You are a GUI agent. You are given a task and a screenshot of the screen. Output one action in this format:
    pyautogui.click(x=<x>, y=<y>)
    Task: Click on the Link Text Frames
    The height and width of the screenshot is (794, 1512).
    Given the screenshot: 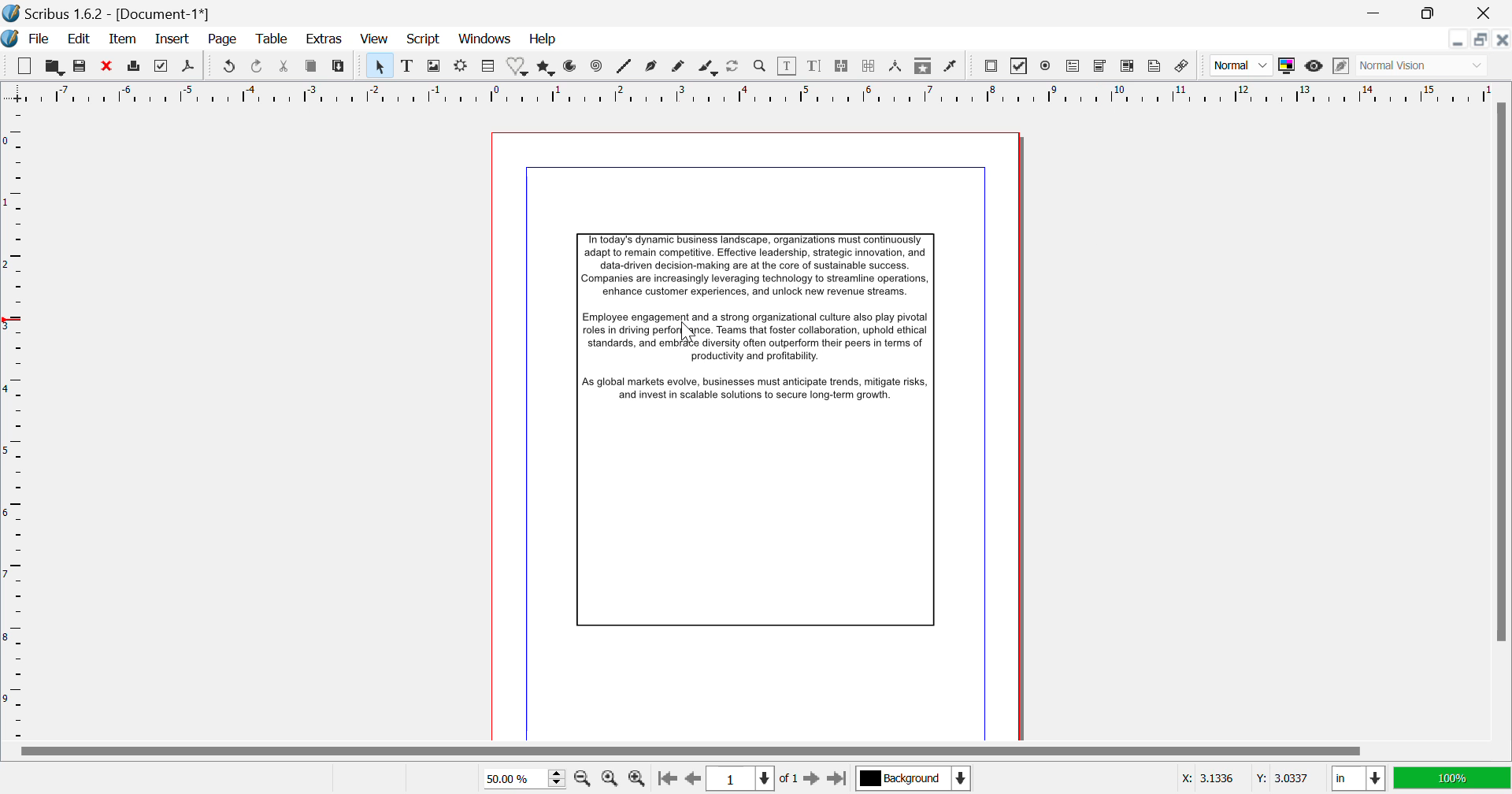 What is the action you would take?
    pyautogui.click(x=844, y=65)
    